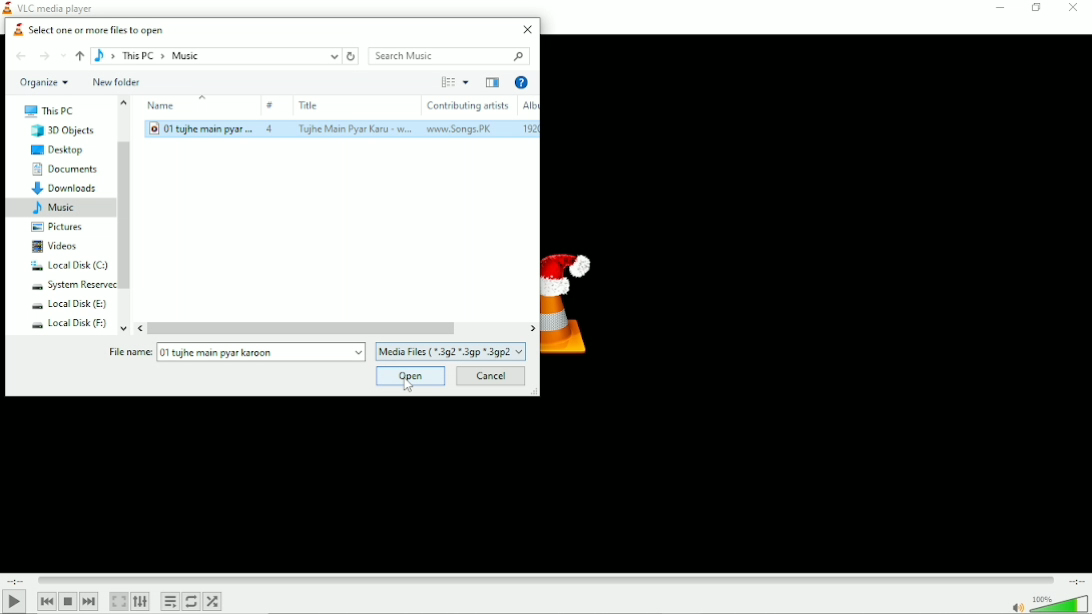 The width and height of the screenshot is (1092, 614). What do you see at coordinates (408, 385) in the screenshot?
I see `Cursor` at bounding box center [408, 385].